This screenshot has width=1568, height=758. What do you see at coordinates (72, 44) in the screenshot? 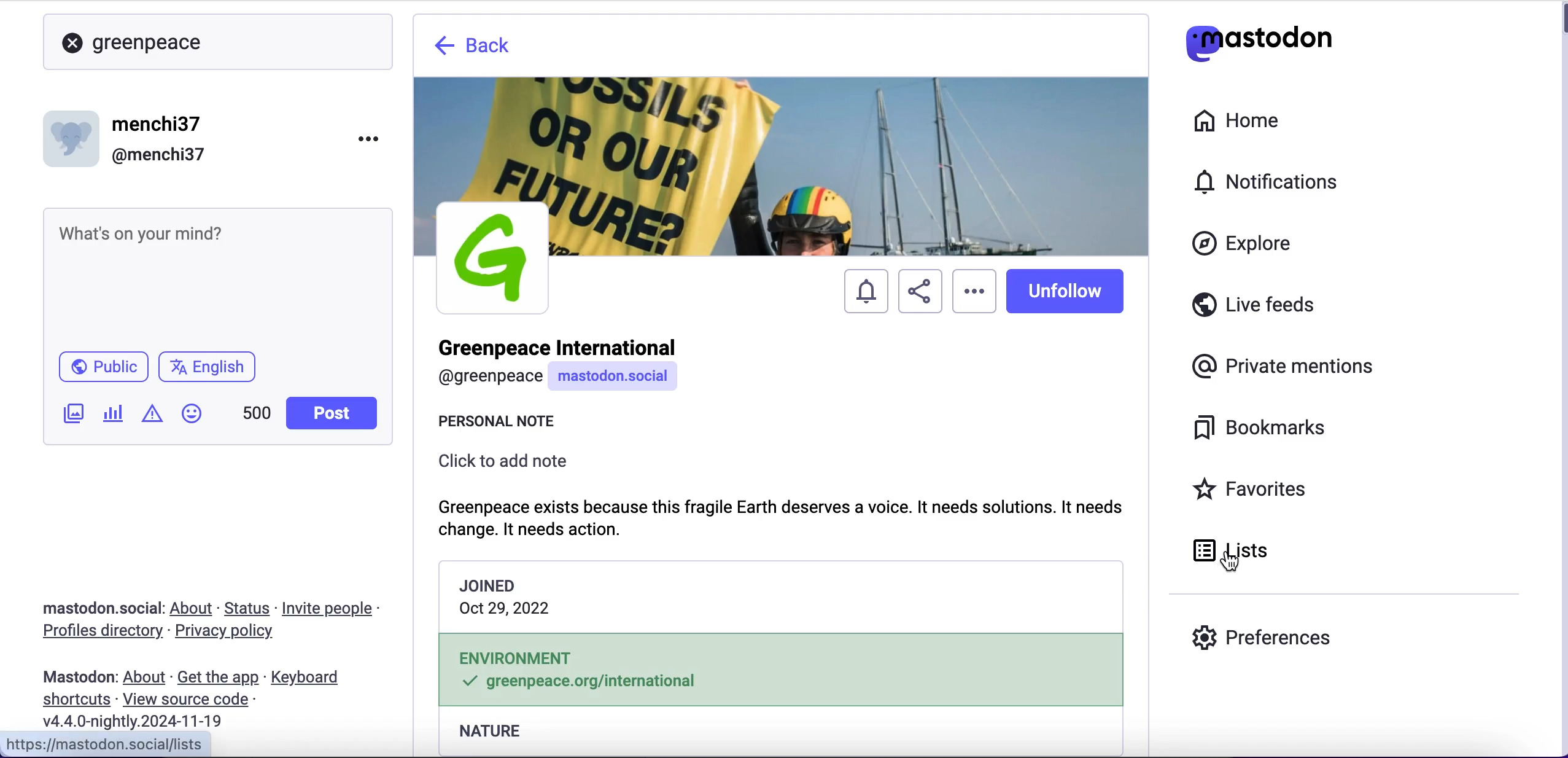
I see `close` at bounding box center [72, 44].